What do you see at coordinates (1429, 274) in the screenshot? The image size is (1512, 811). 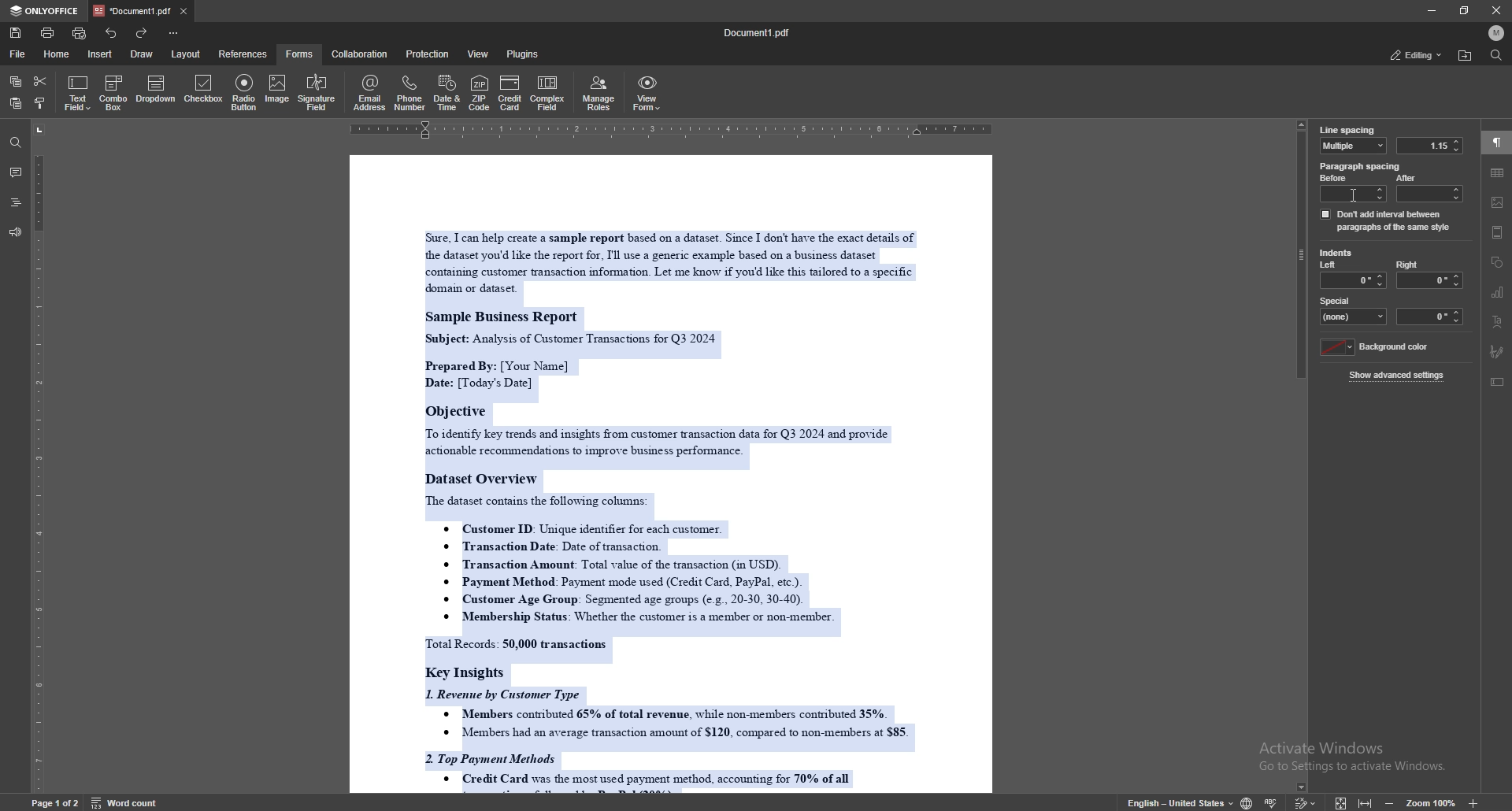 I see `right indent` at bounding box center [1429, 274].